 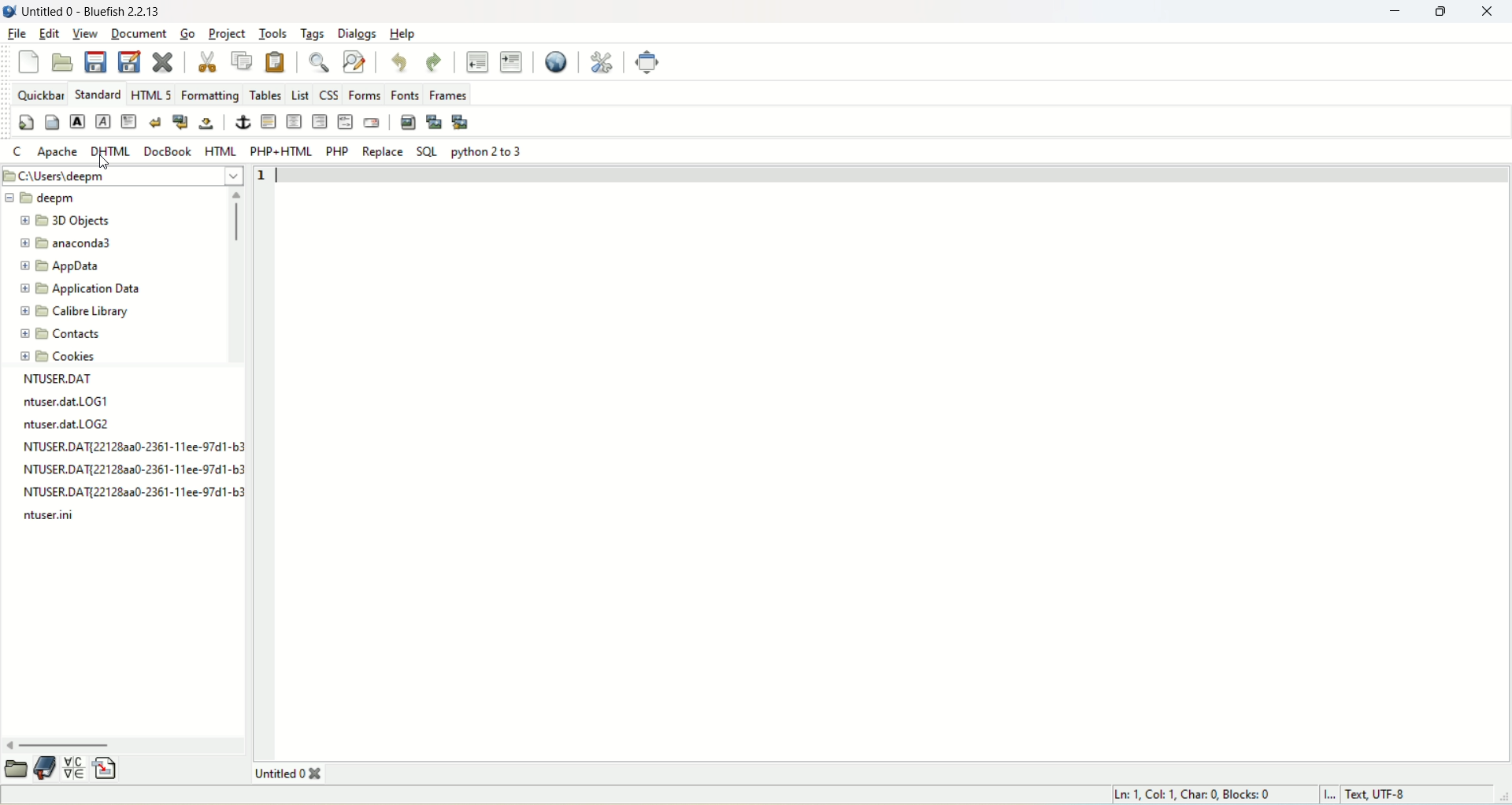 What do you see at coordinates (20, 152) in the screenshot?
I see `C` at bounding box center [20, 152].